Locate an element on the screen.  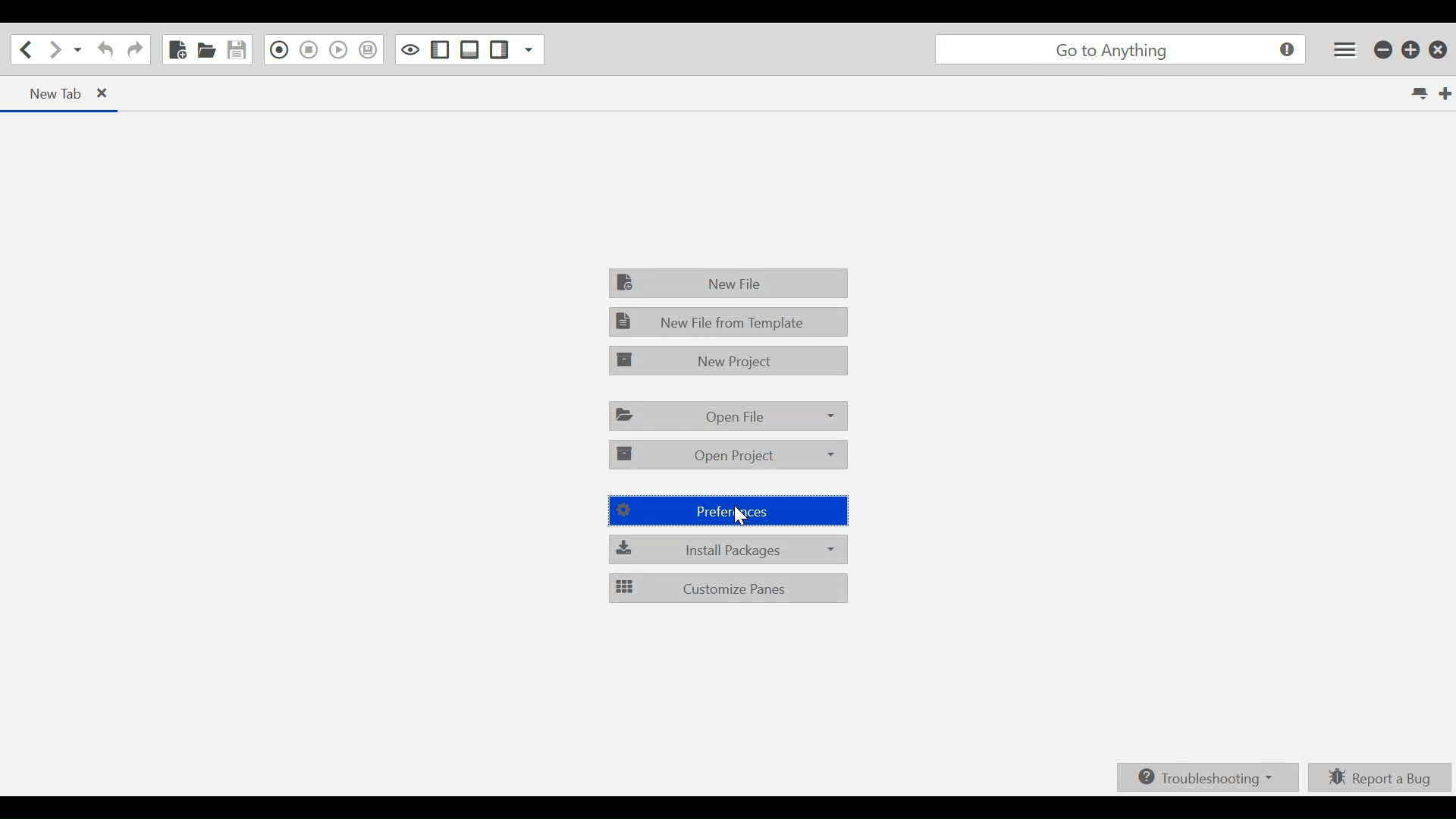
Customize Panes is located at coordinates (726, 588).